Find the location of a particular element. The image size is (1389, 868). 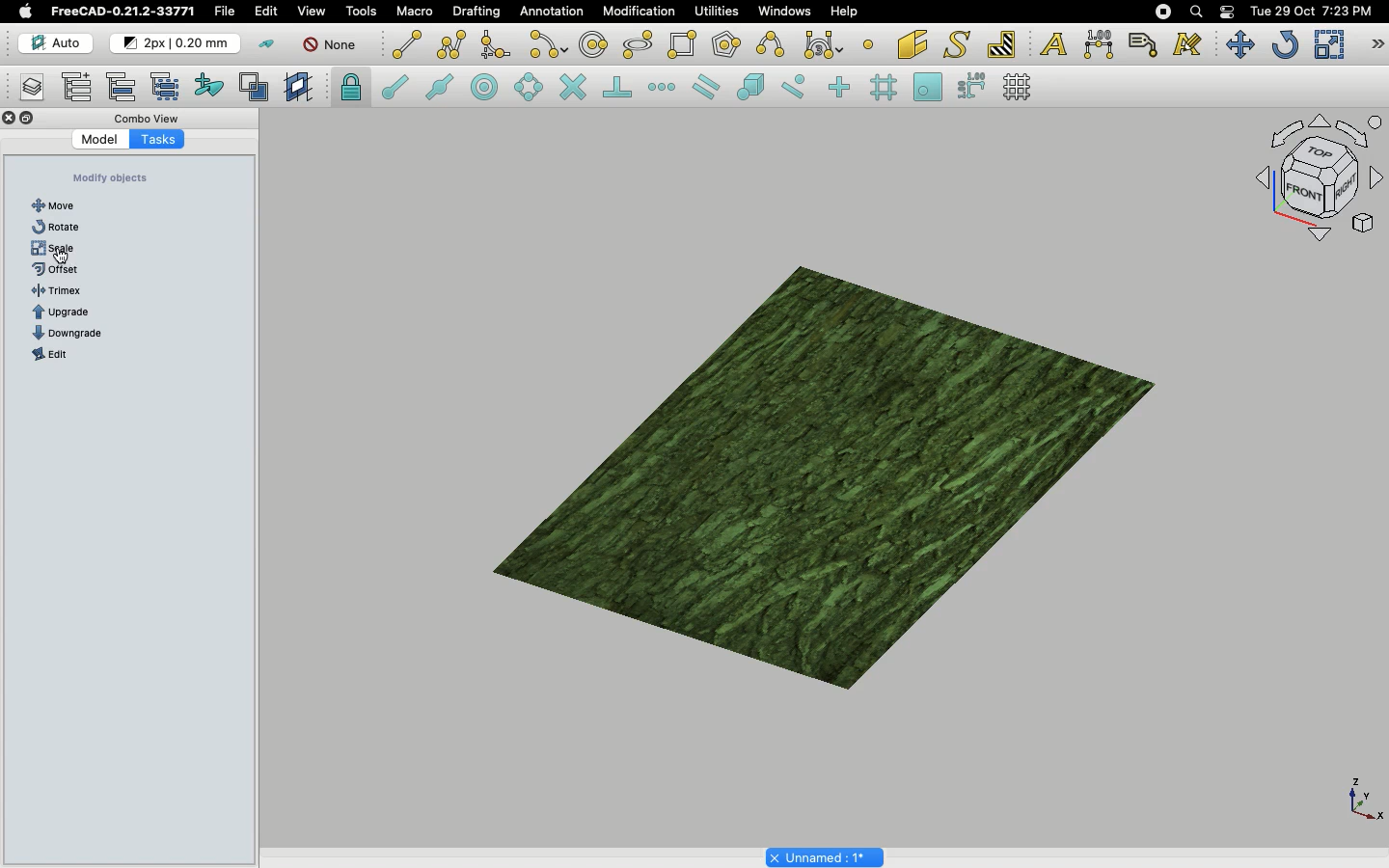

Snap grid is located at coordinates (885, 87).